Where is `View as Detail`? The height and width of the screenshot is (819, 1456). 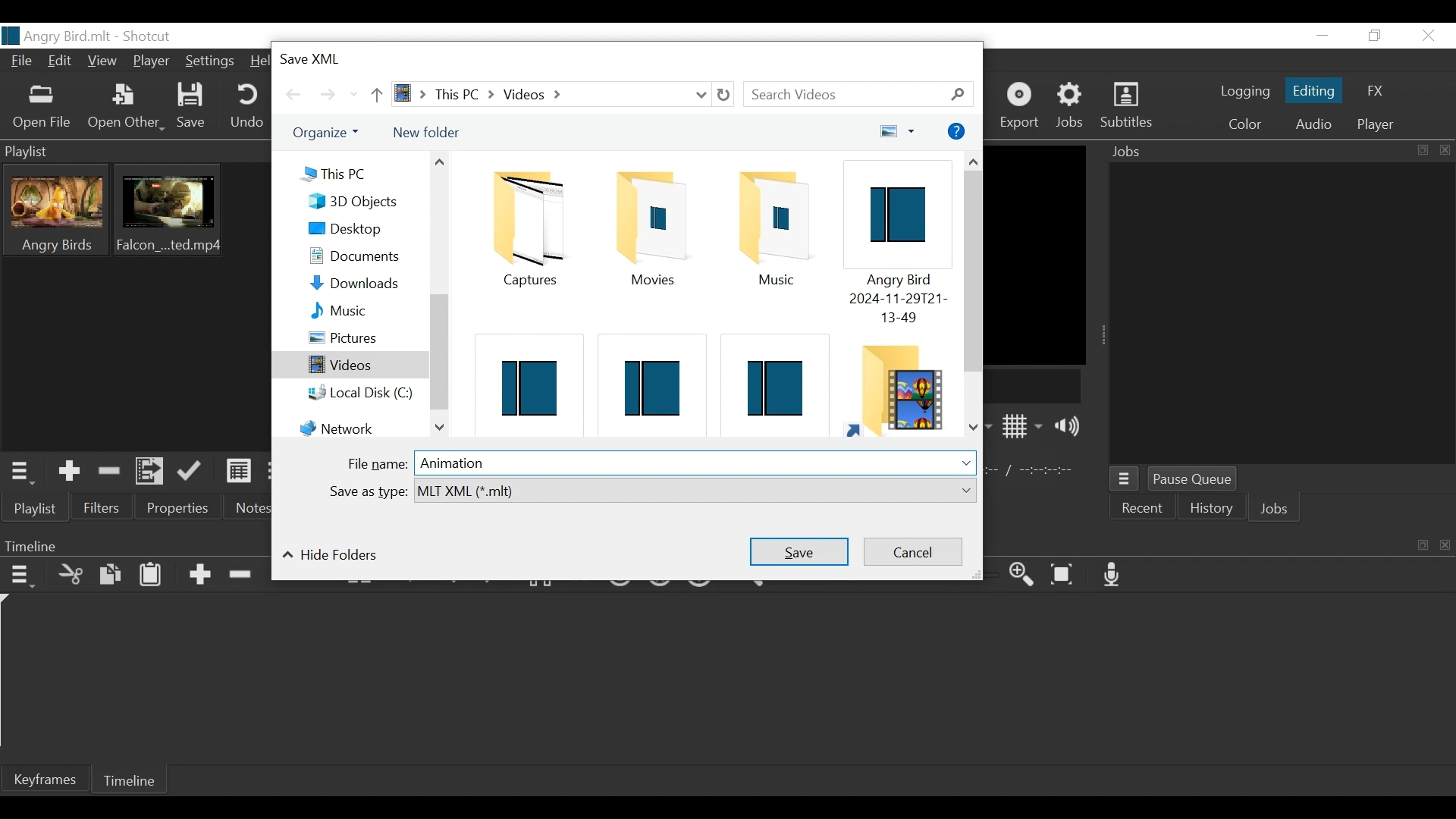
View as Detail is located at coordinates (239, 474).